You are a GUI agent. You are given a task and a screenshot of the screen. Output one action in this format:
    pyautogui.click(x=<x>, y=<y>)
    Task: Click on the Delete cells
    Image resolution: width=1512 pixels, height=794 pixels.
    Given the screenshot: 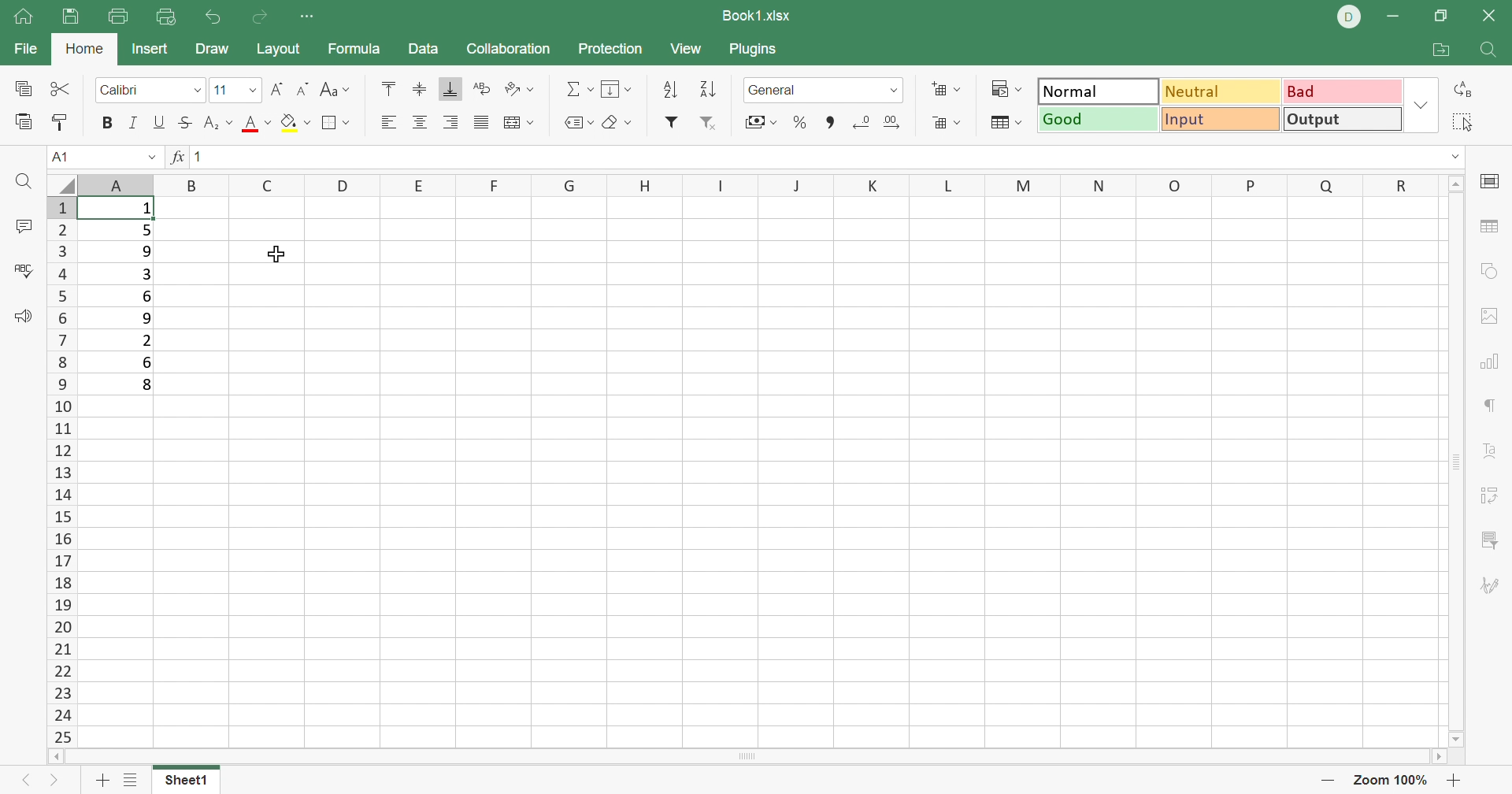 What is the action you would take?
    pyautogui.click(x=947, y=123)
    